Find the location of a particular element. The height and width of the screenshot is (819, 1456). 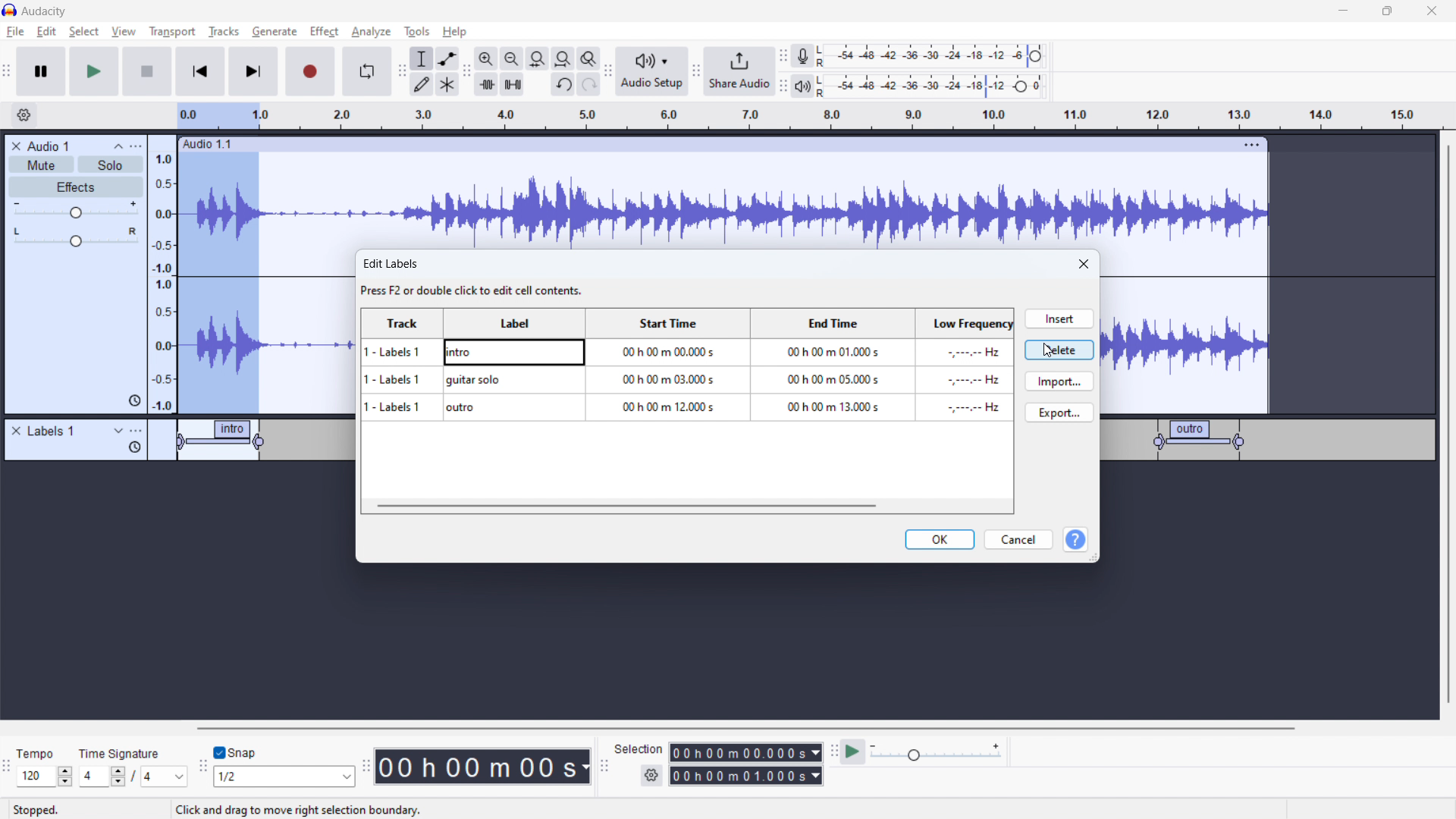

time signature is located at coordinates (121, 753).